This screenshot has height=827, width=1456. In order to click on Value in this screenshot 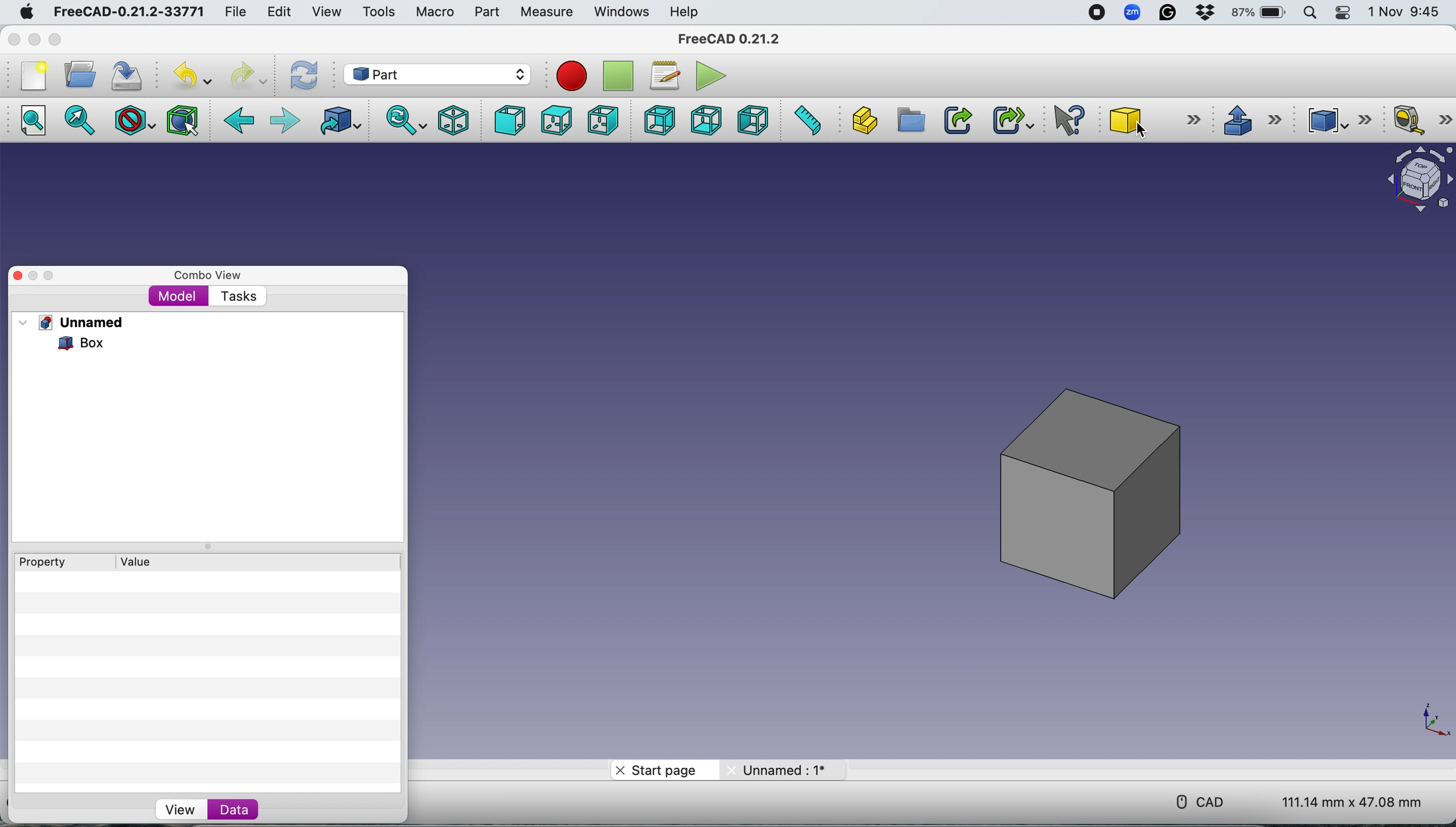, I will do `click(140, 561)`.